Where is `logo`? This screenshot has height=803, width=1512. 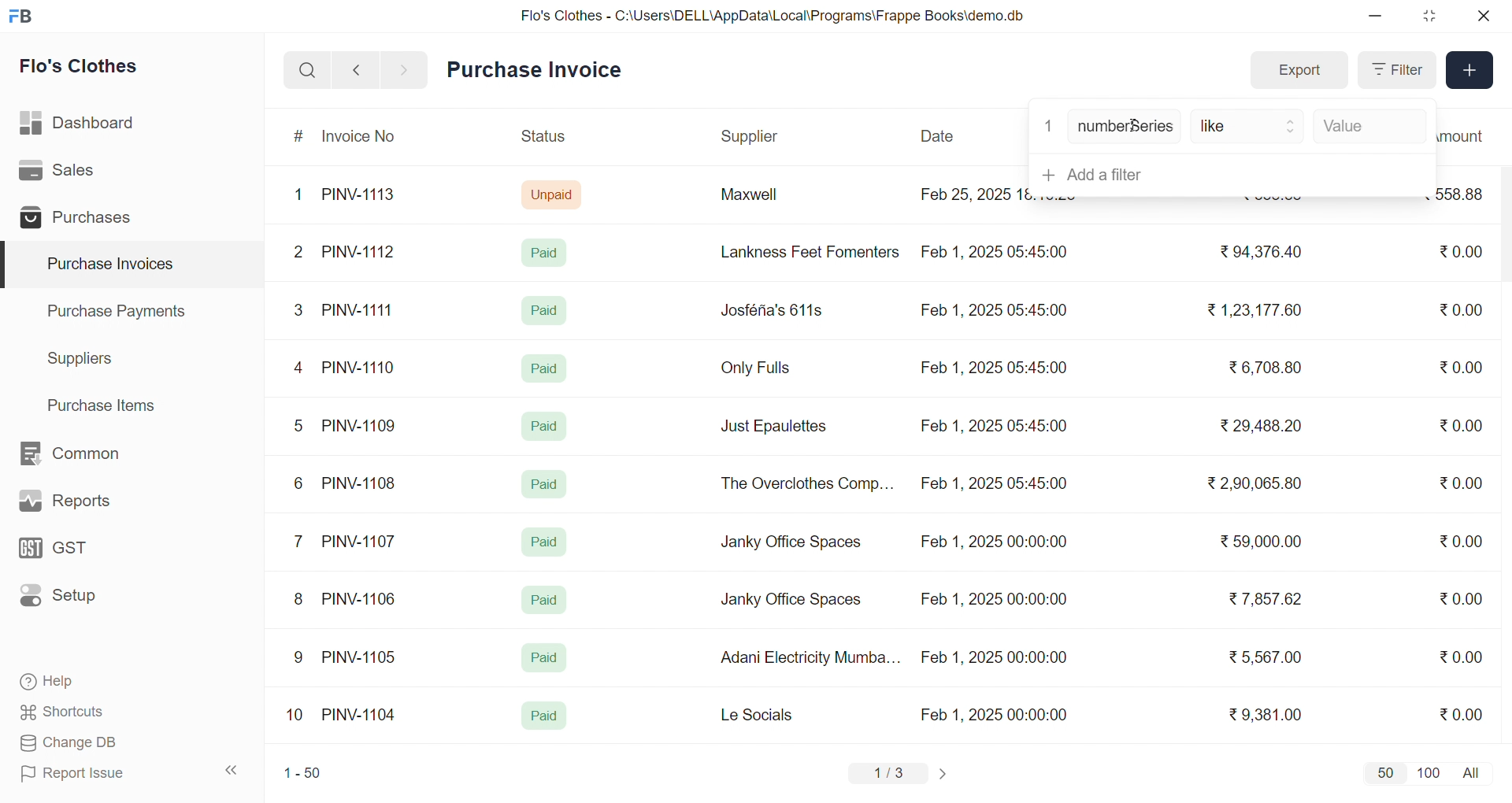
logo is located at coordinates (24, 17).